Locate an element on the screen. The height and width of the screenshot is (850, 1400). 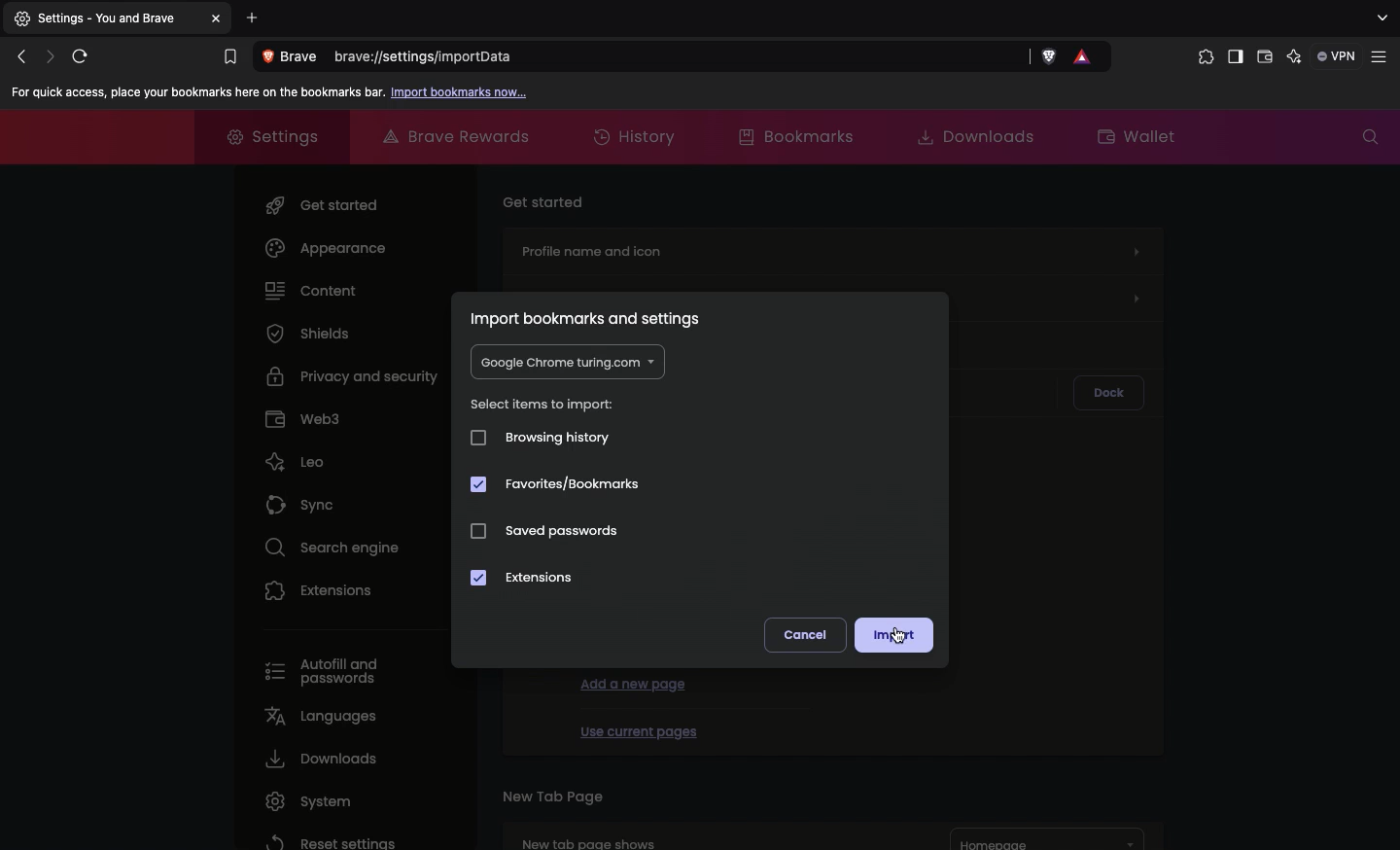
Click to go back, hold to see history is located at coordinates (20, 57).